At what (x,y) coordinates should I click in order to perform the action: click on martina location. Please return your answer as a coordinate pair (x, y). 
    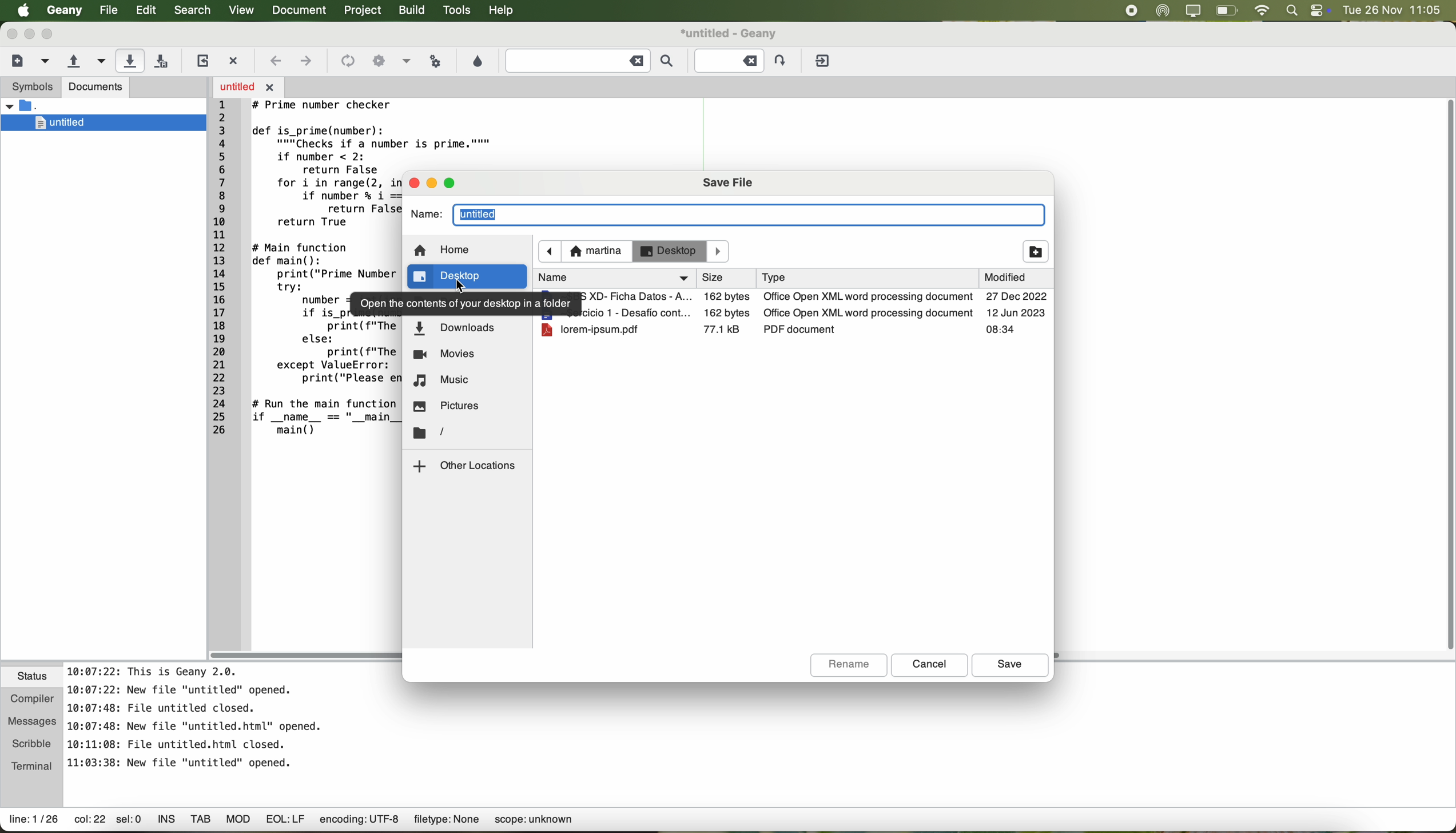
    Looking at the image, I should click on (598, 252).